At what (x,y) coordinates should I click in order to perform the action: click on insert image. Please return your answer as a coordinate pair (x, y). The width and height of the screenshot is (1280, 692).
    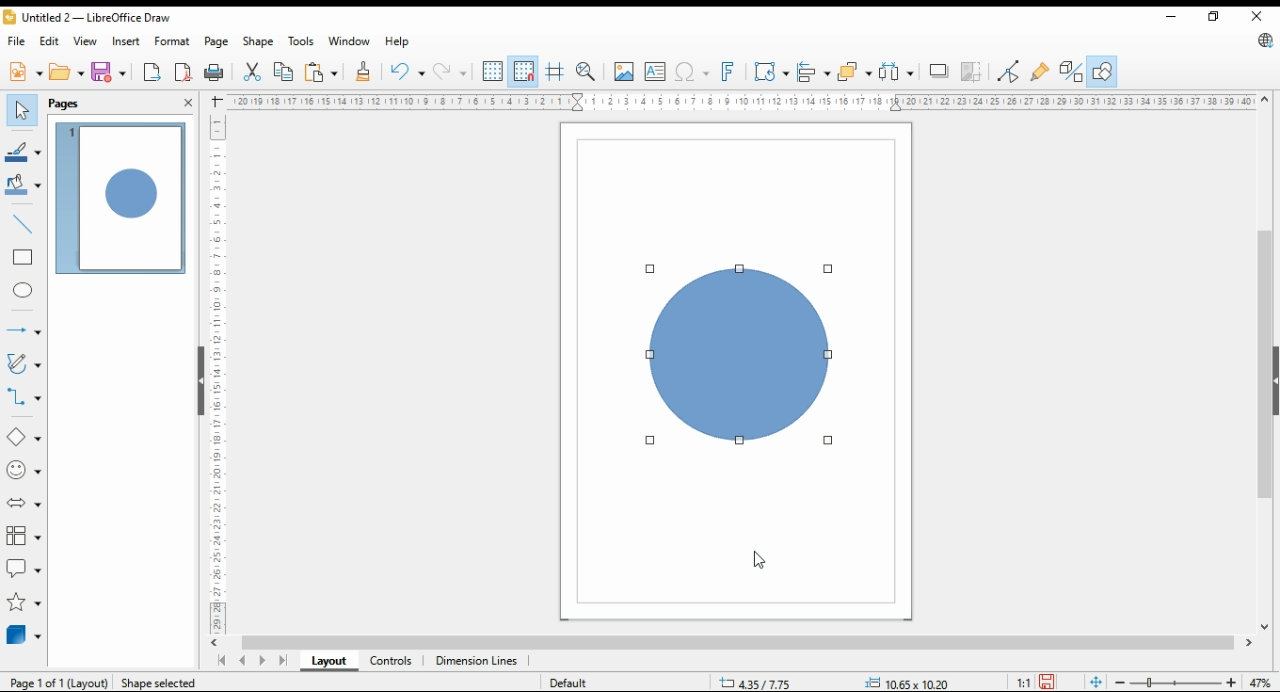
    Looking at the image, I should click on (624, 71).